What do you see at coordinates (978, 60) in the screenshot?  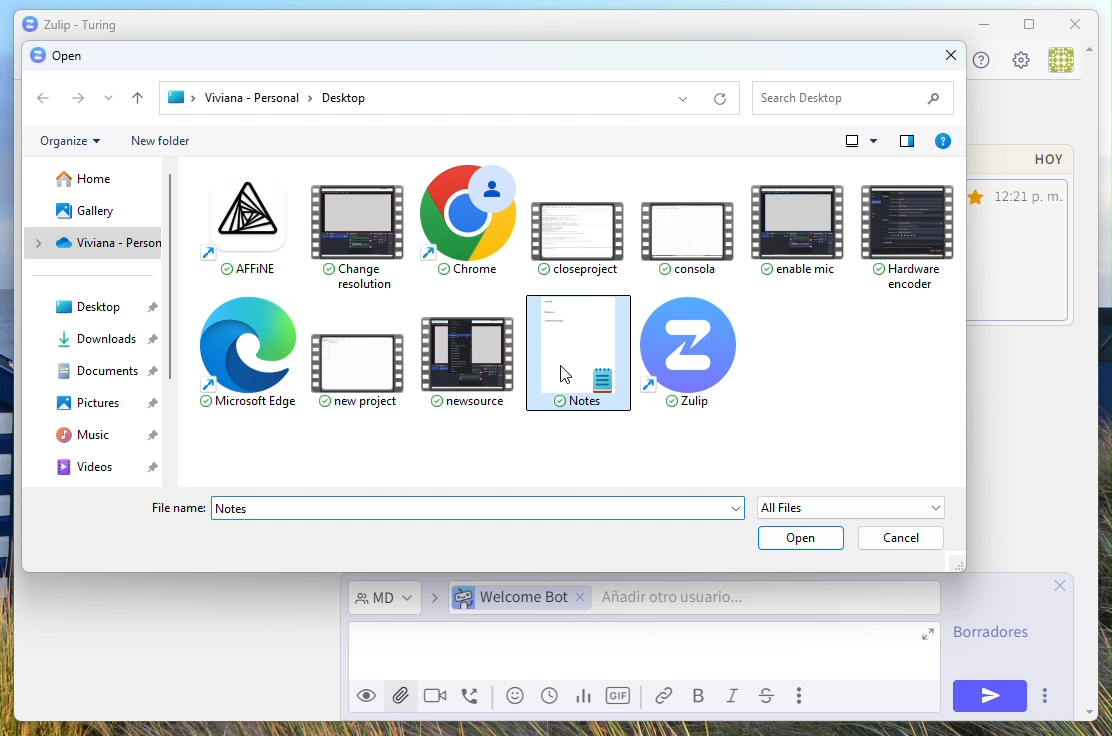 I see `Help` at bounding box center [978, 60].